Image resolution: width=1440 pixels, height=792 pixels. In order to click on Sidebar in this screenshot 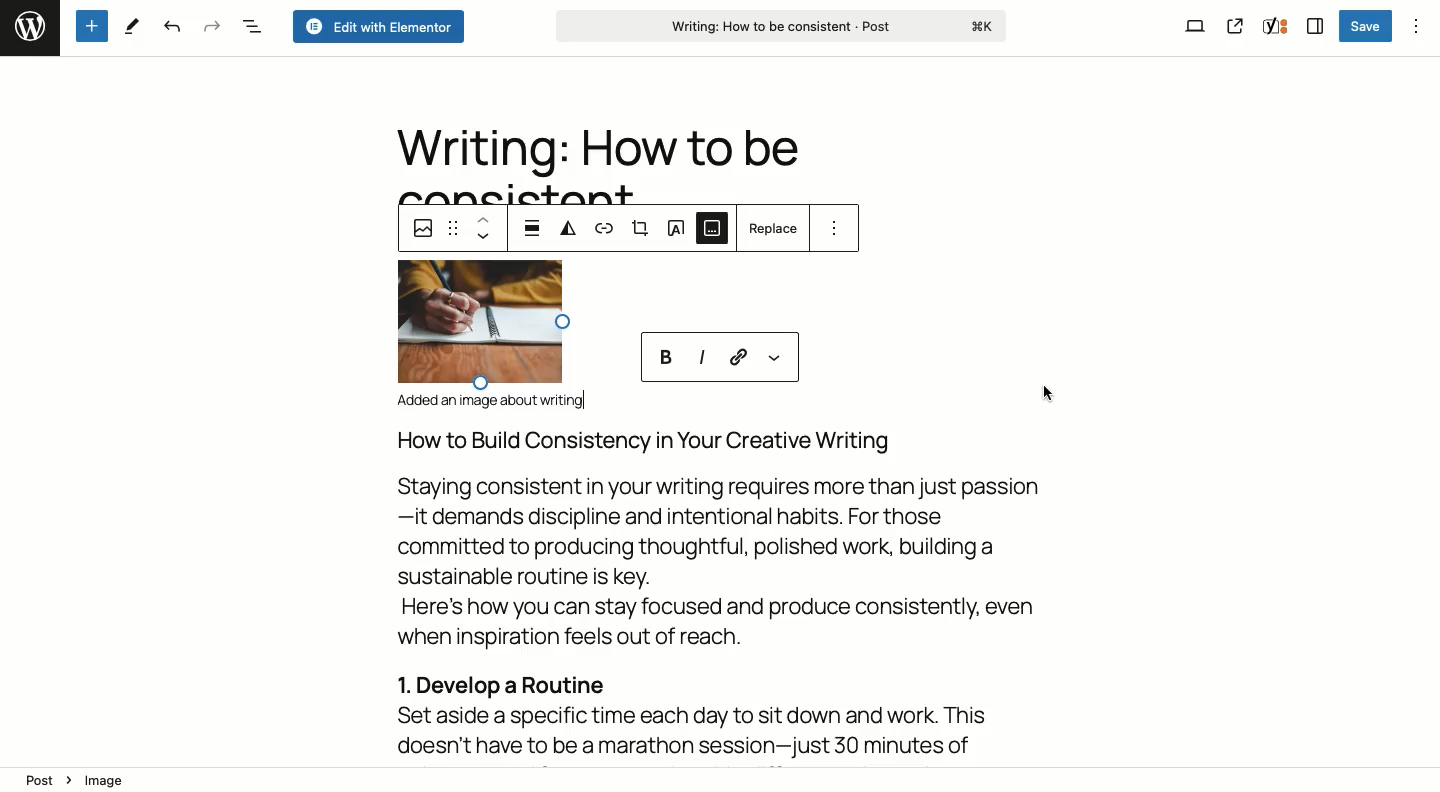, I will do `click(1312, 27)`.